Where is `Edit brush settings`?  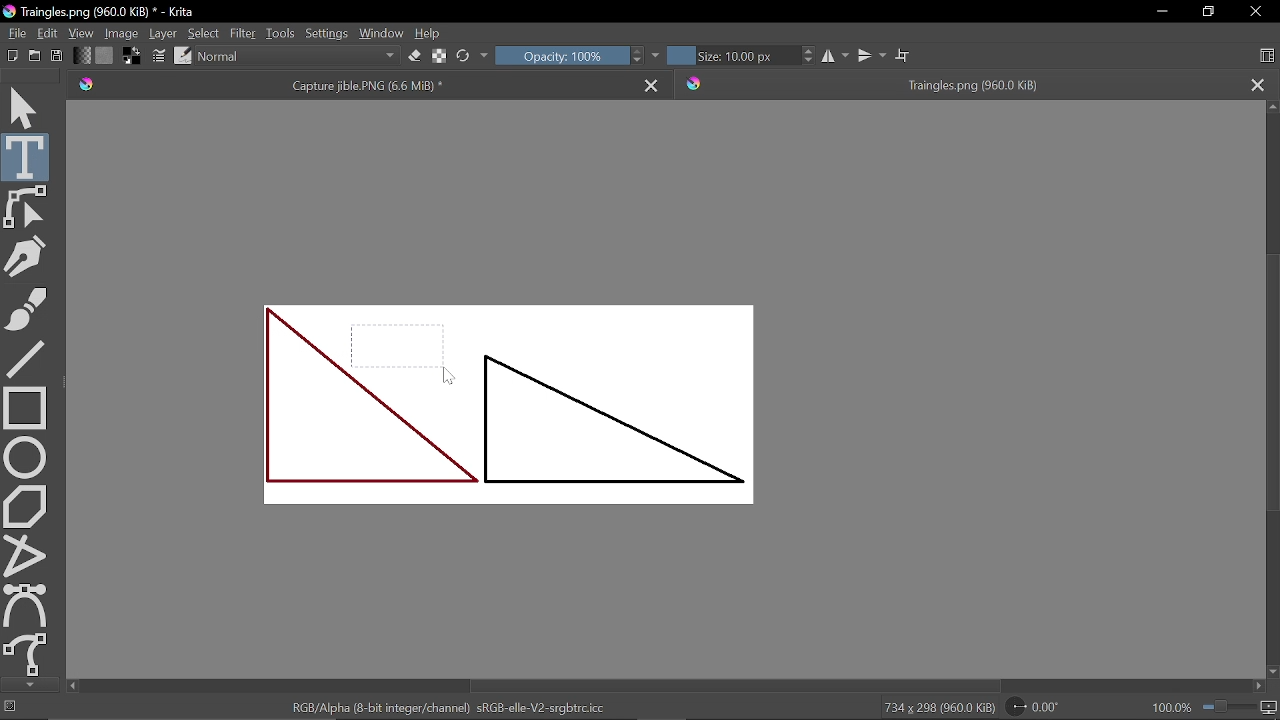
Edit brush settings is located at coordinates (438, 55).